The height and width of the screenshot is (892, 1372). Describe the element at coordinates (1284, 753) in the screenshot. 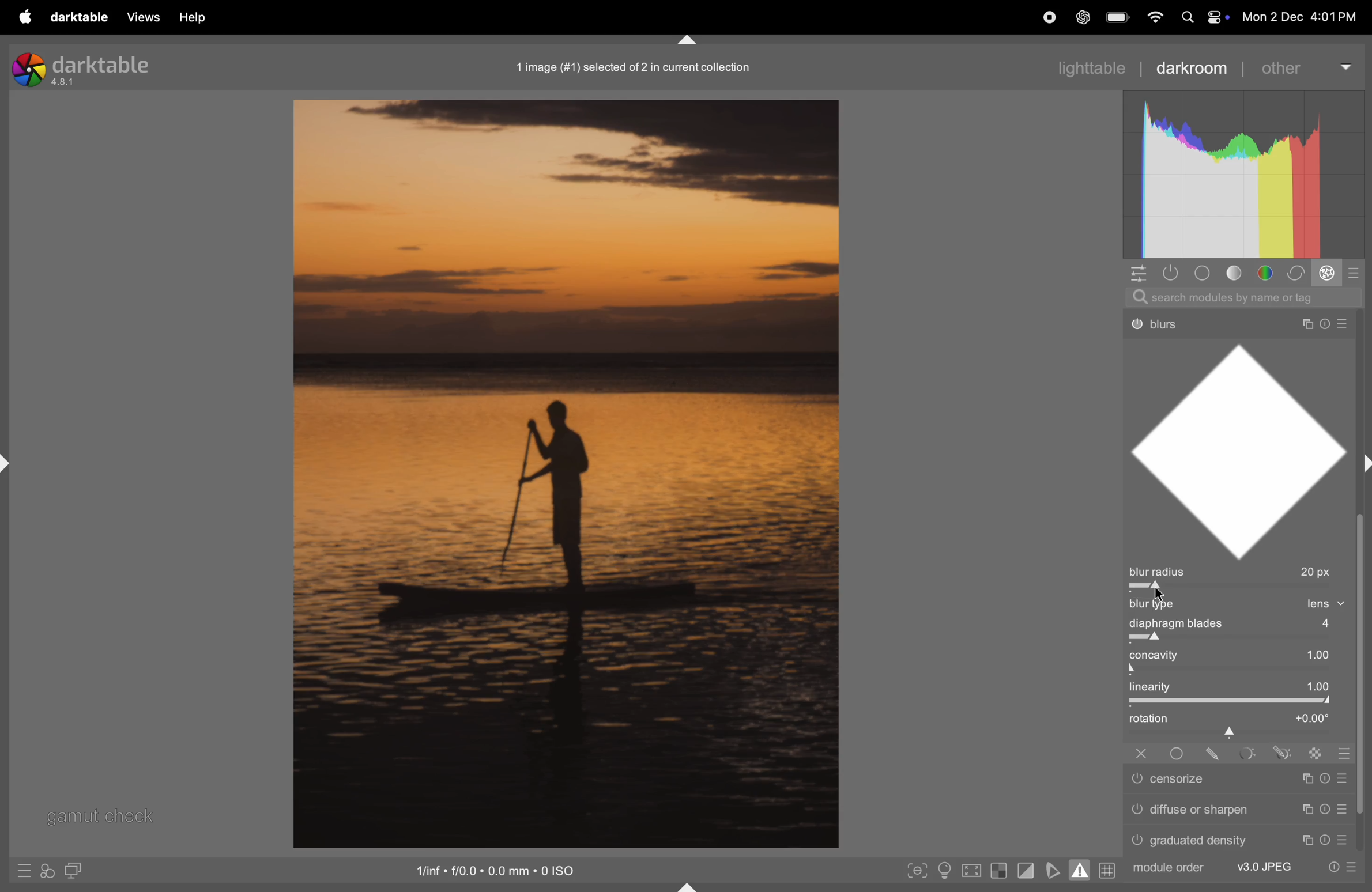

I see `` at that location.